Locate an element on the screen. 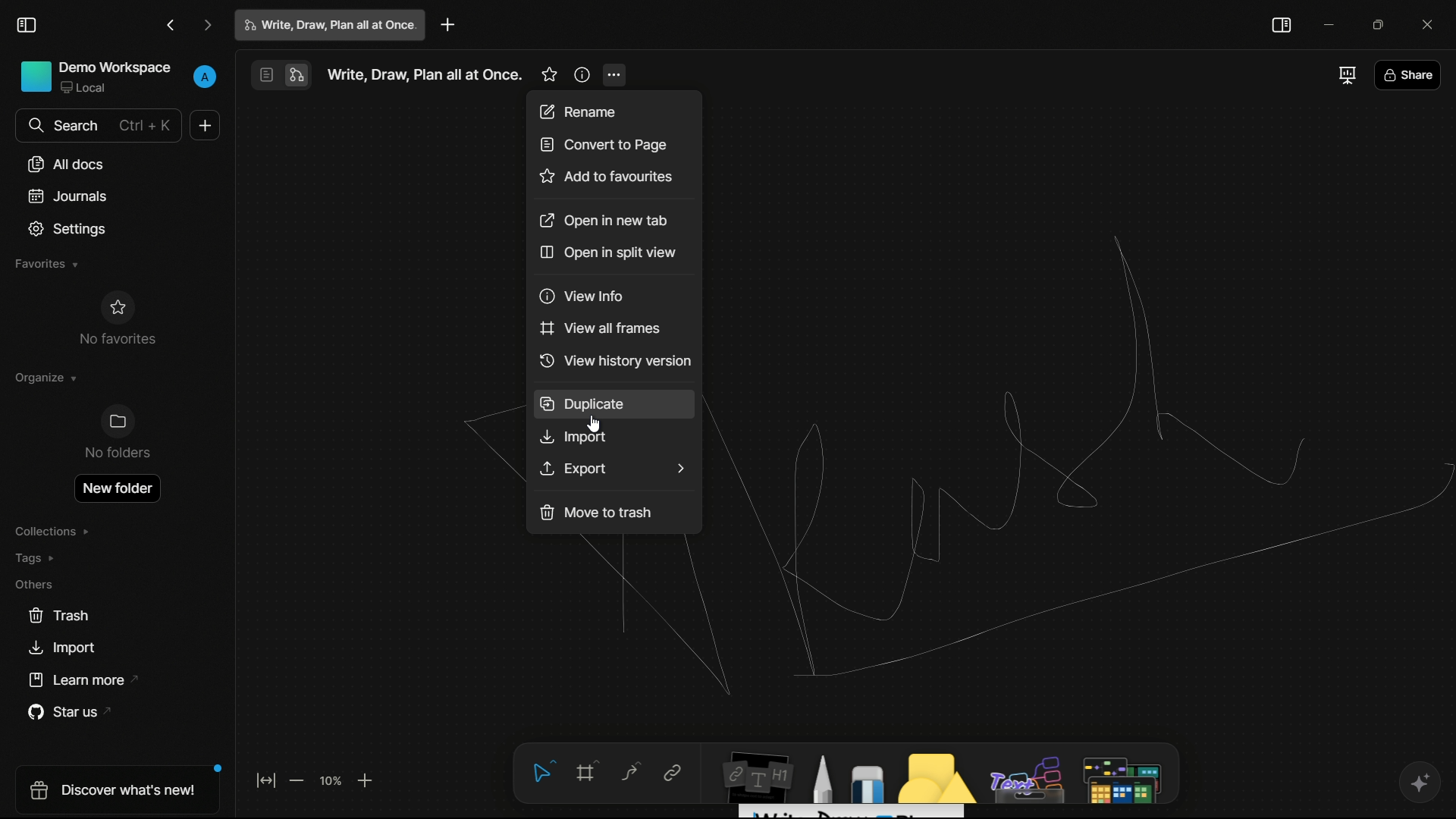 This screenshot has width=1456, height=819. close app is located at coordinates (1428, 27).